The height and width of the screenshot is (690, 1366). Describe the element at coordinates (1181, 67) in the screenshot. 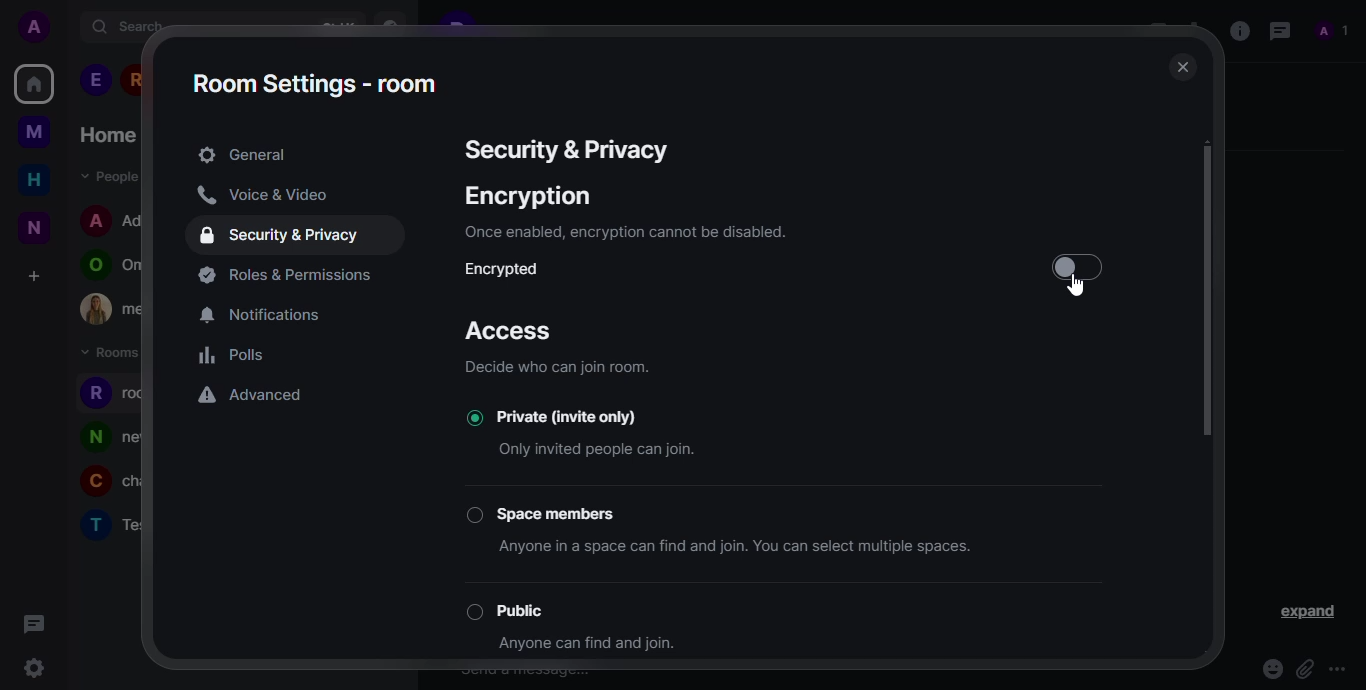

I see `close` at that location.